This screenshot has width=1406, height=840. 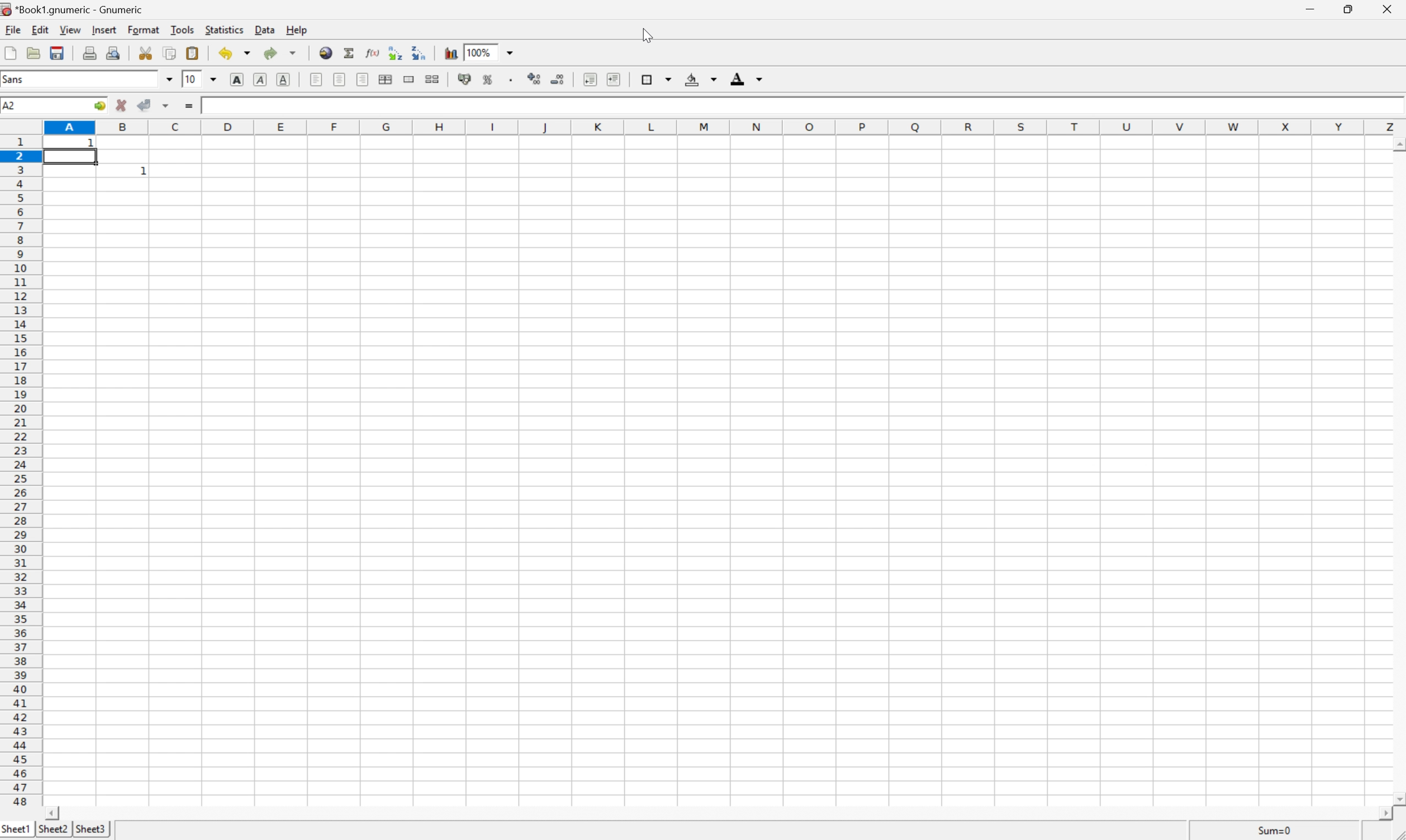 What do you see at coordinates (362, 78) in the screenshot?
I see `Align Right` at bounding box center [362, 78].